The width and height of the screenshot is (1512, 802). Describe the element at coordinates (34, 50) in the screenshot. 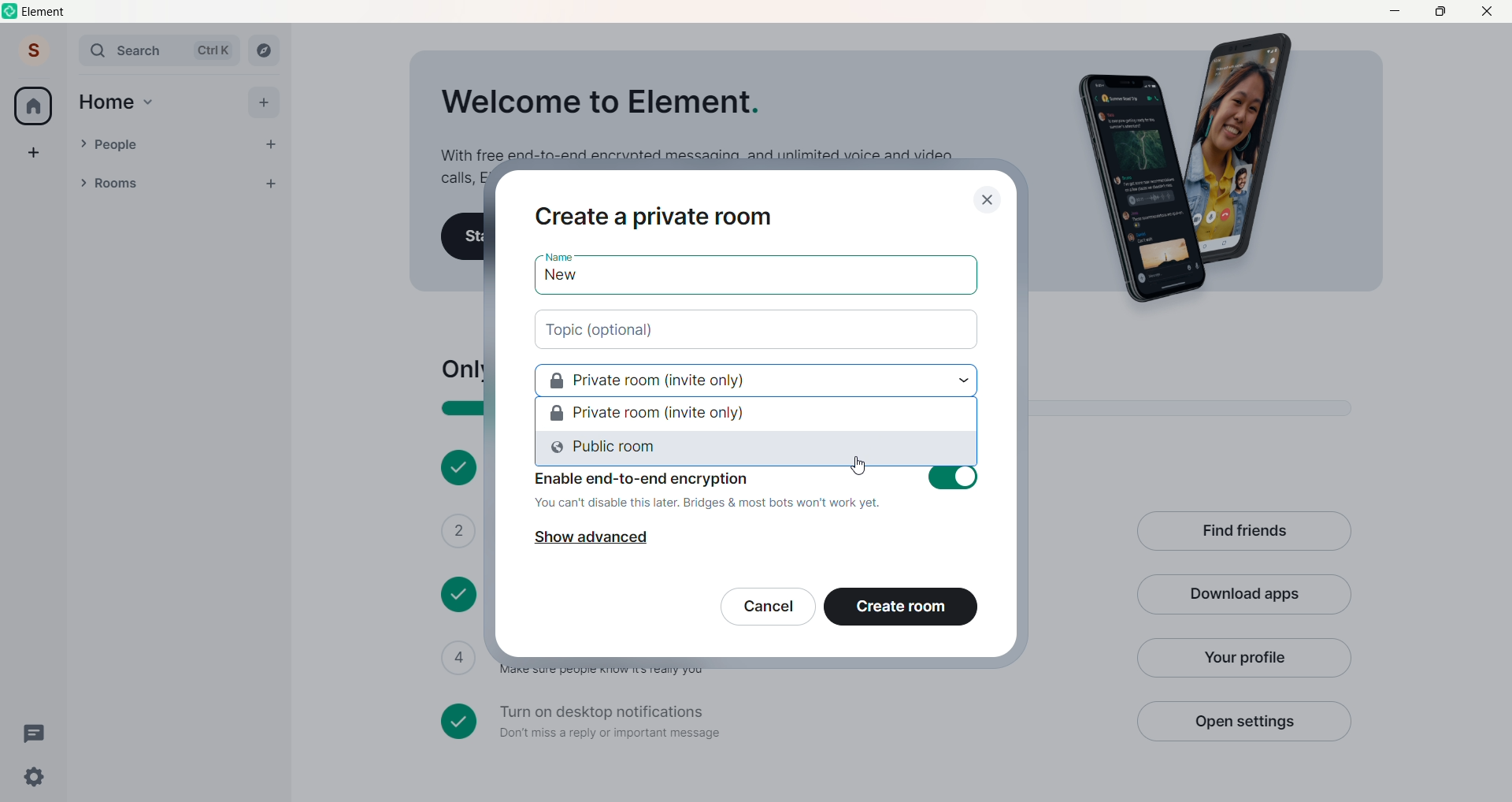

I see `Account` at that location.